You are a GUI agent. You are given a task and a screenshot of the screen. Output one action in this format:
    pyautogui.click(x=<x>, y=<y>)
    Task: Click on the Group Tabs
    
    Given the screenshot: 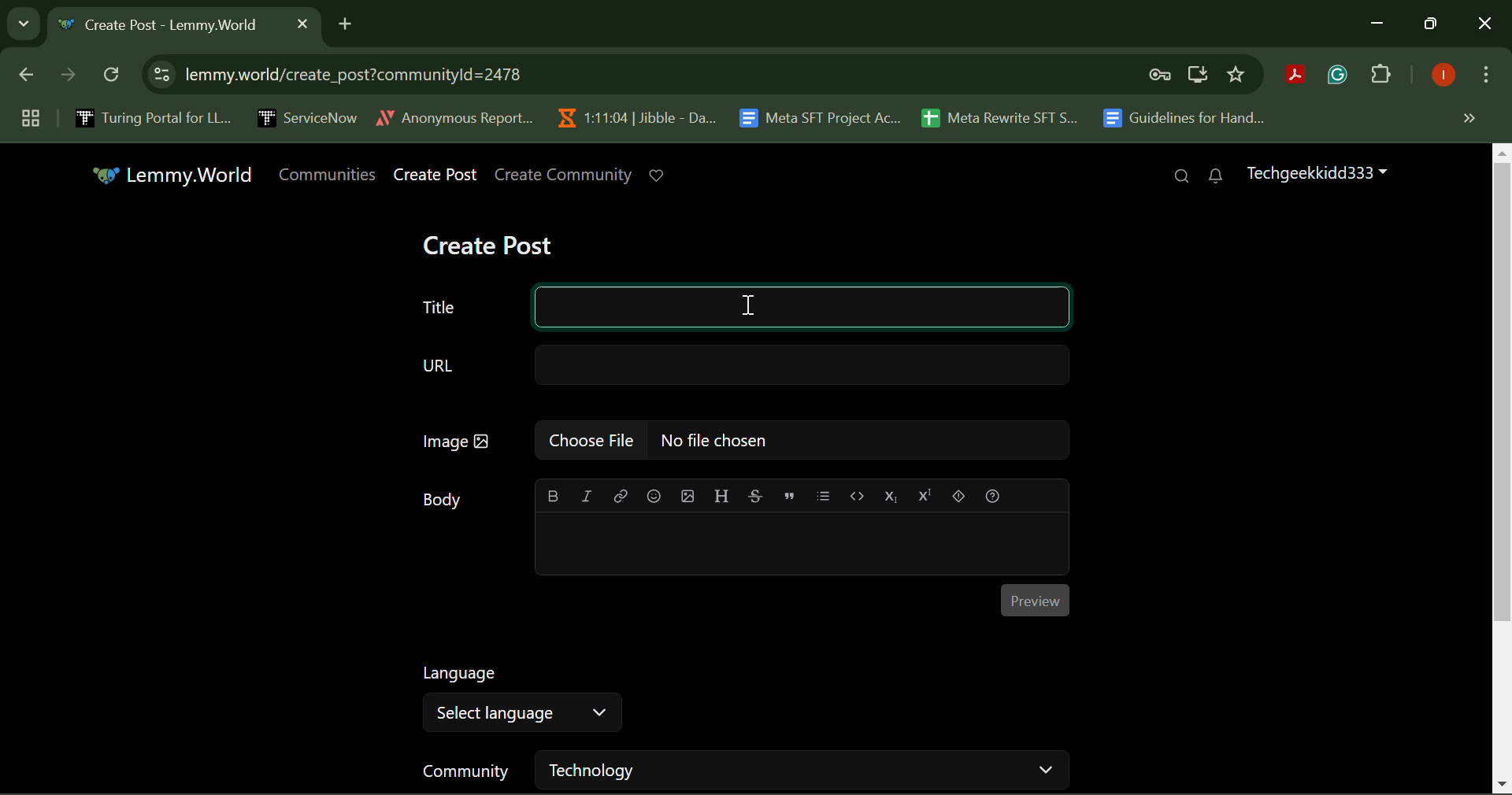 What is the action you would take?
    pyautogui.click(x=30, y=117)
    